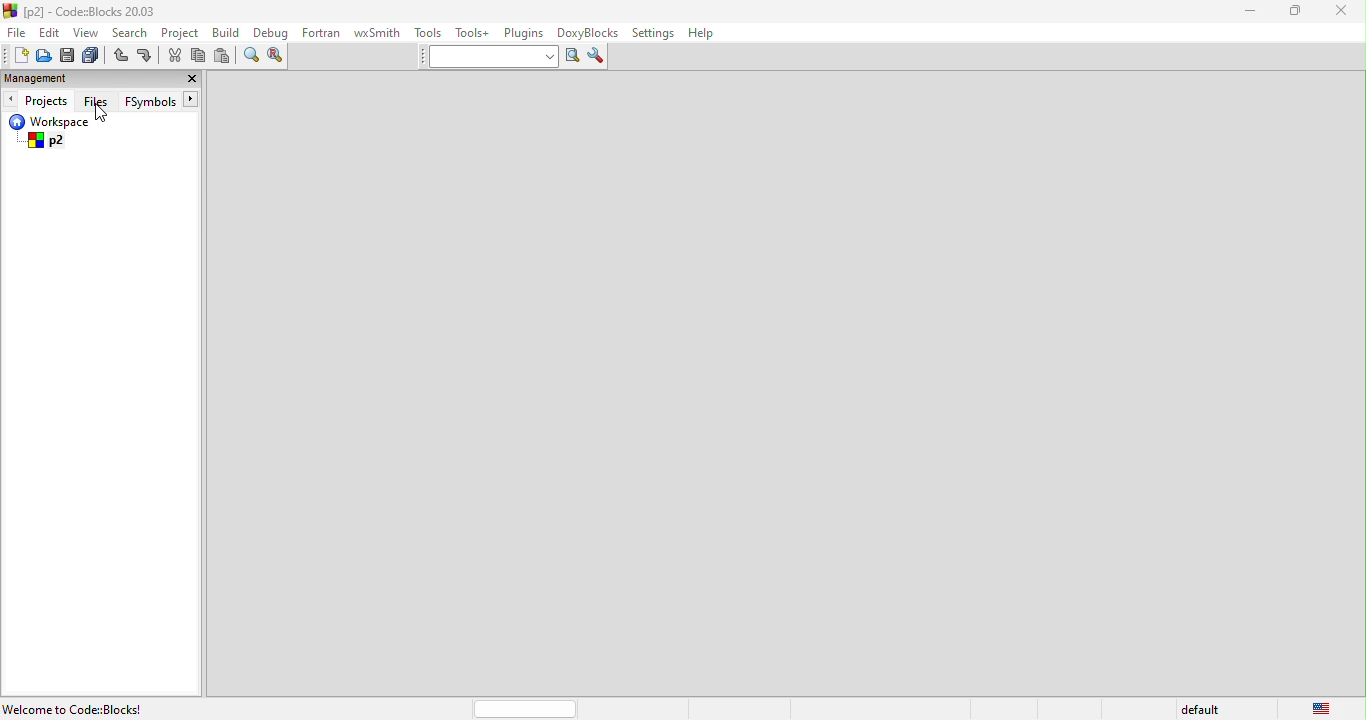  I want to click on save, so click(69, 56).